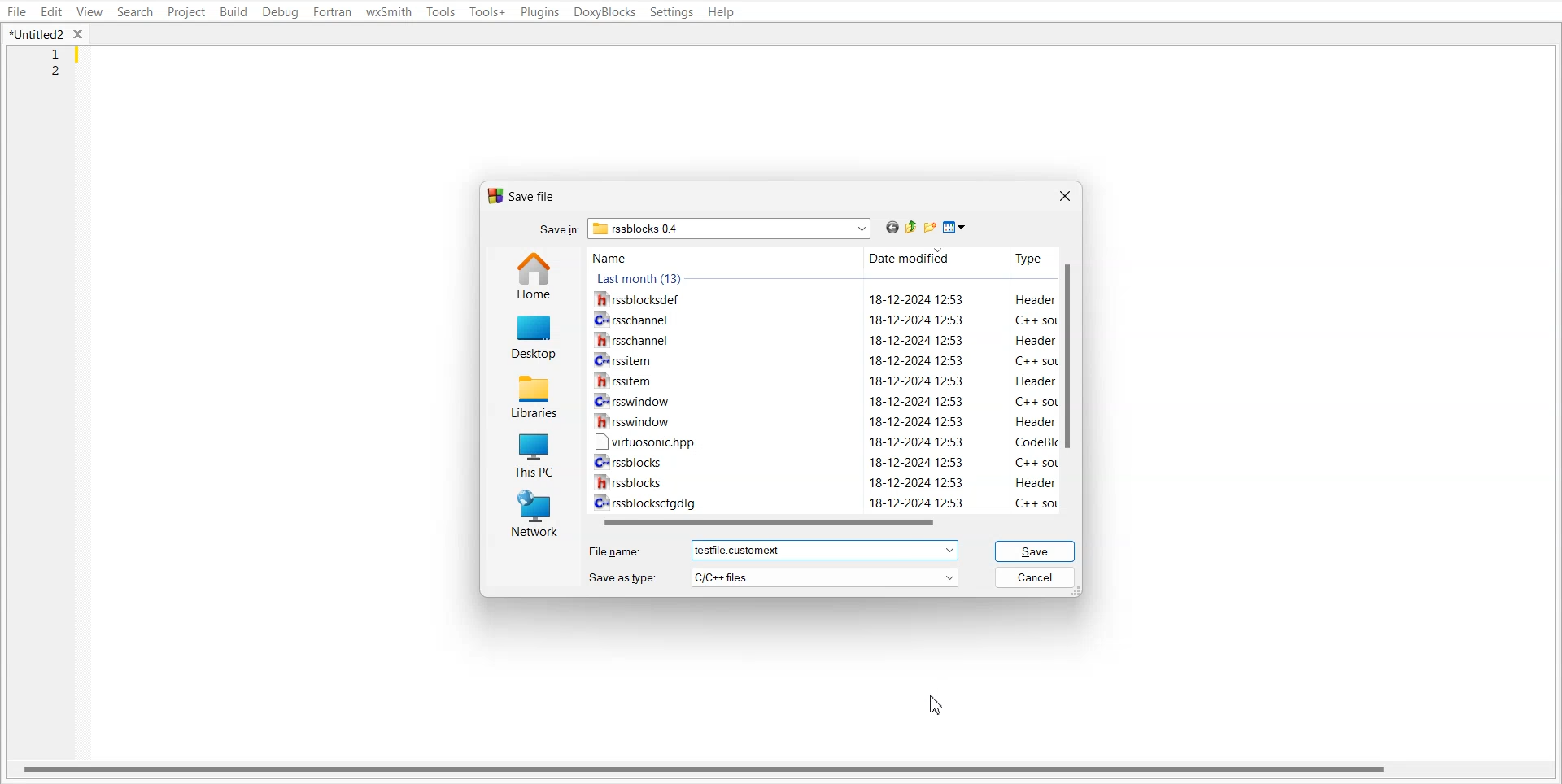  What do you see at coordinates (233, 11) in the screenshot?
I see `Build` at bounding box center [233, 11].